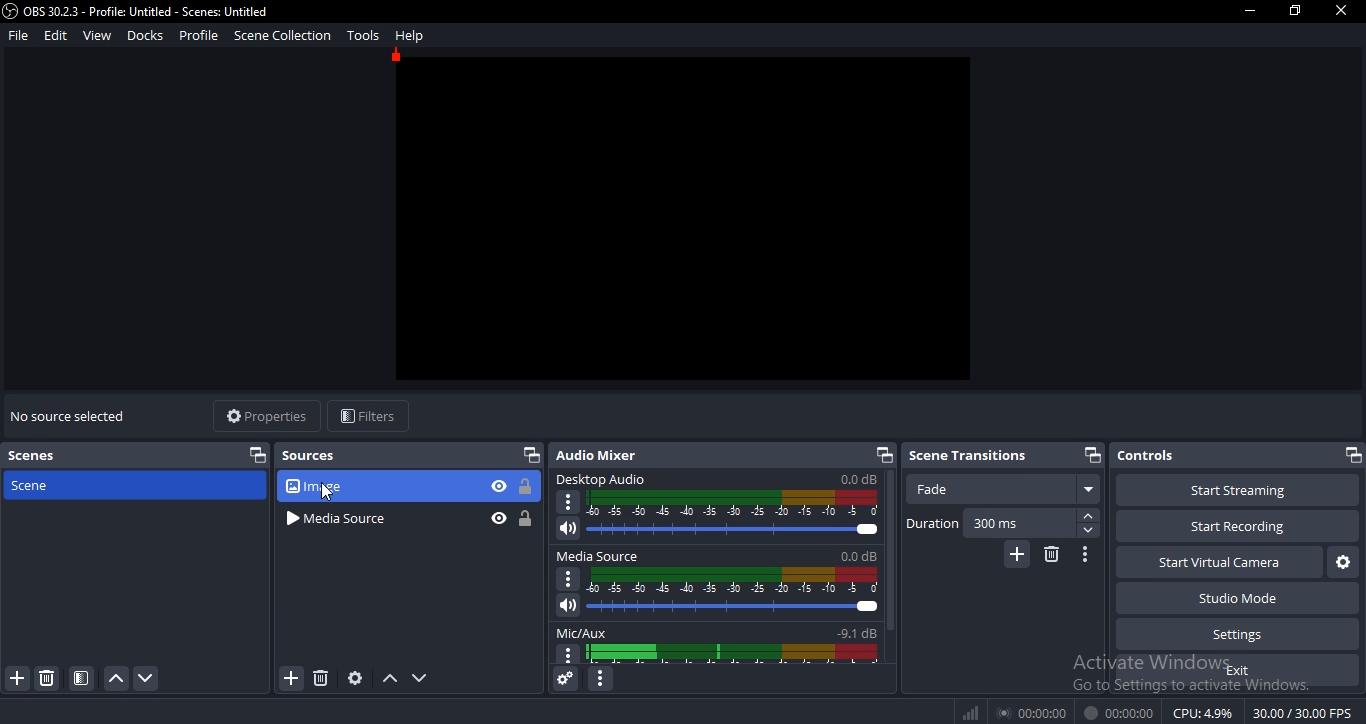 The image size is (1366, 724). What do you see at coordinates (148, 679) in the screenshot?
I see `move down` at bounding box center [148, 679].